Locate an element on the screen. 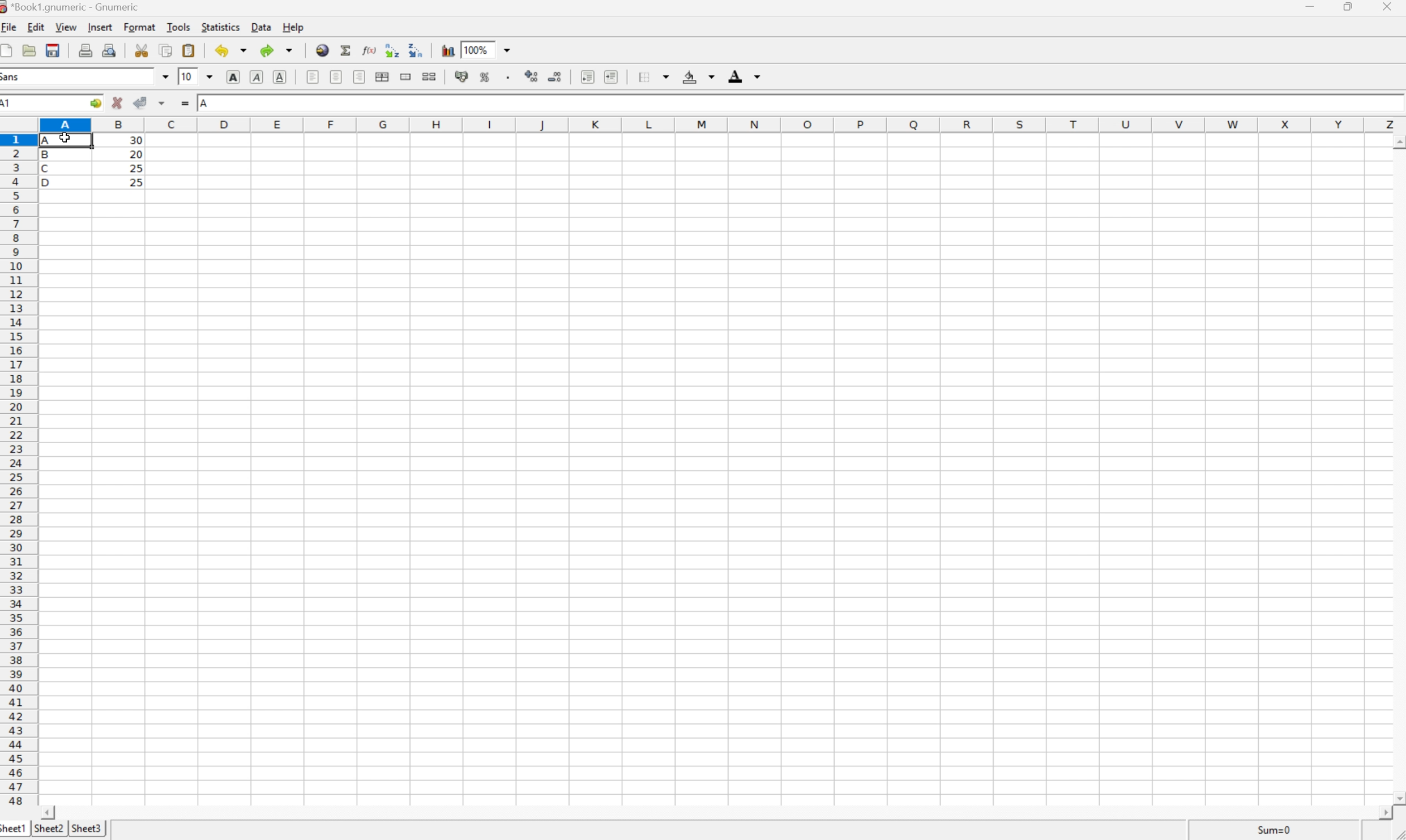 The width and height of the screenshot is (1406, 840). 30 is located at coordinates (135, 142).